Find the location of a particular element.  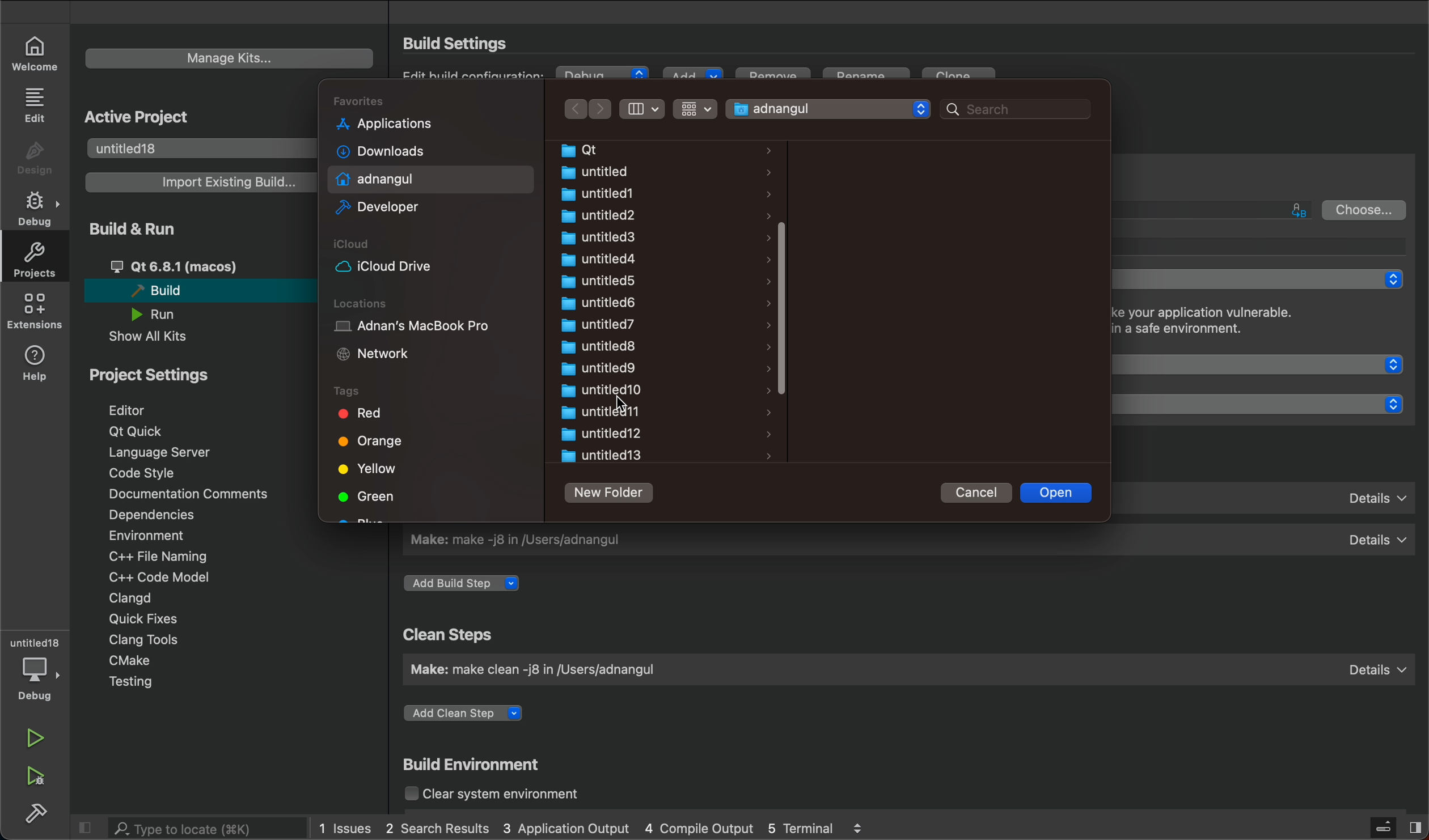

search bar is located at coordinates (193, 828).